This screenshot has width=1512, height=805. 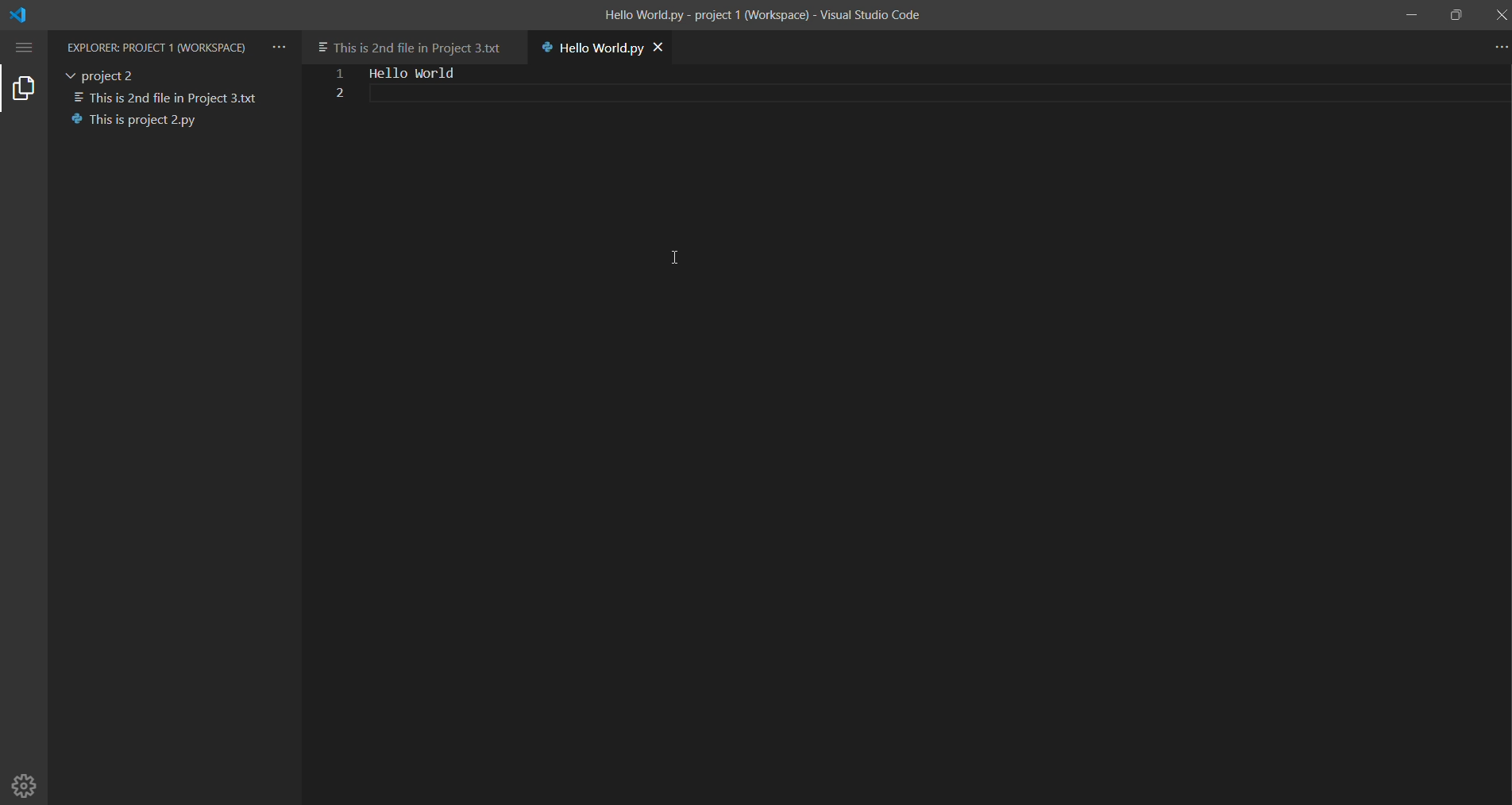 I want to click on project 2, so click(x=106, y=73).